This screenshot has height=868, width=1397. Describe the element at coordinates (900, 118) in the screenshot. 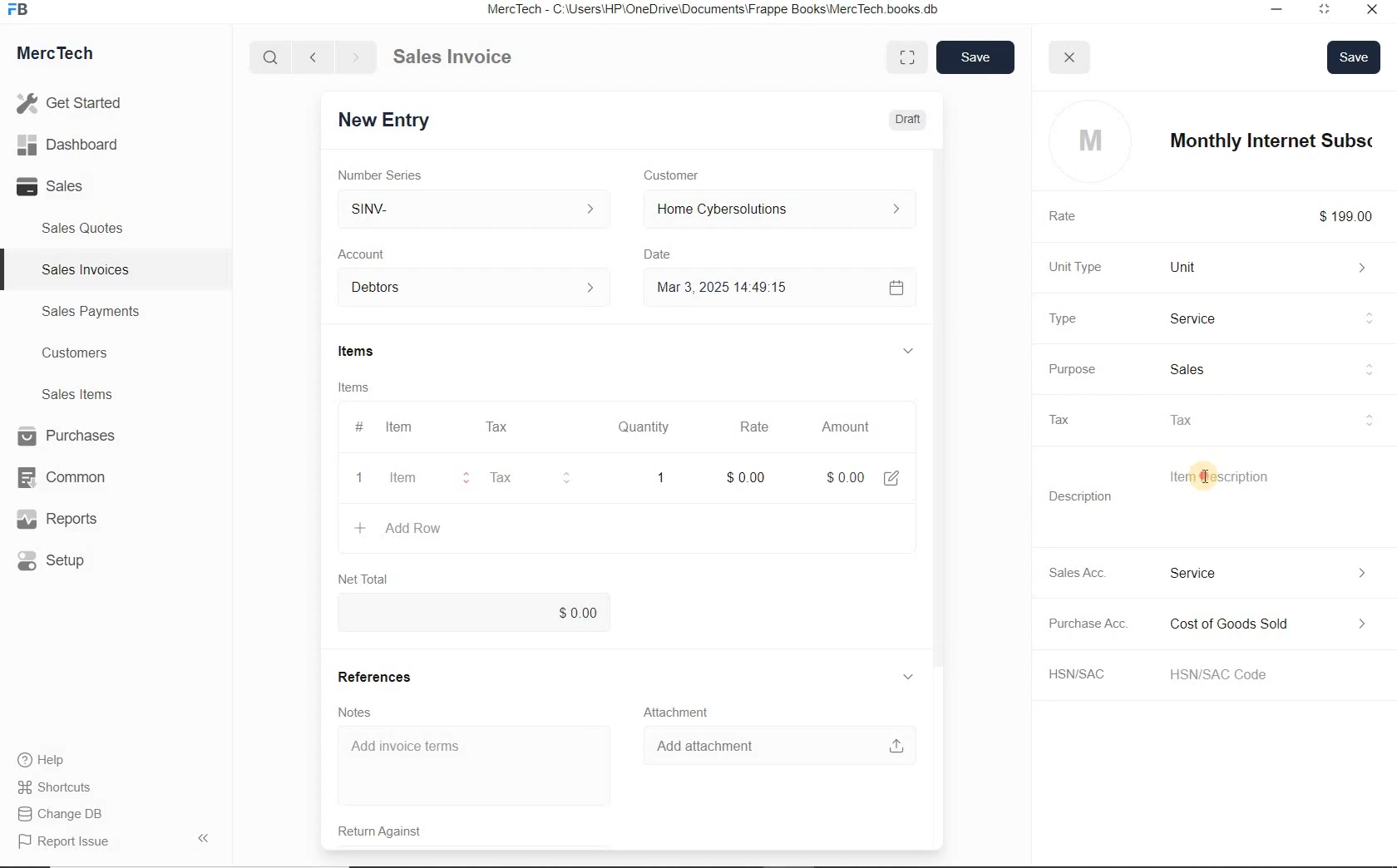

I see `Draft` at that location.